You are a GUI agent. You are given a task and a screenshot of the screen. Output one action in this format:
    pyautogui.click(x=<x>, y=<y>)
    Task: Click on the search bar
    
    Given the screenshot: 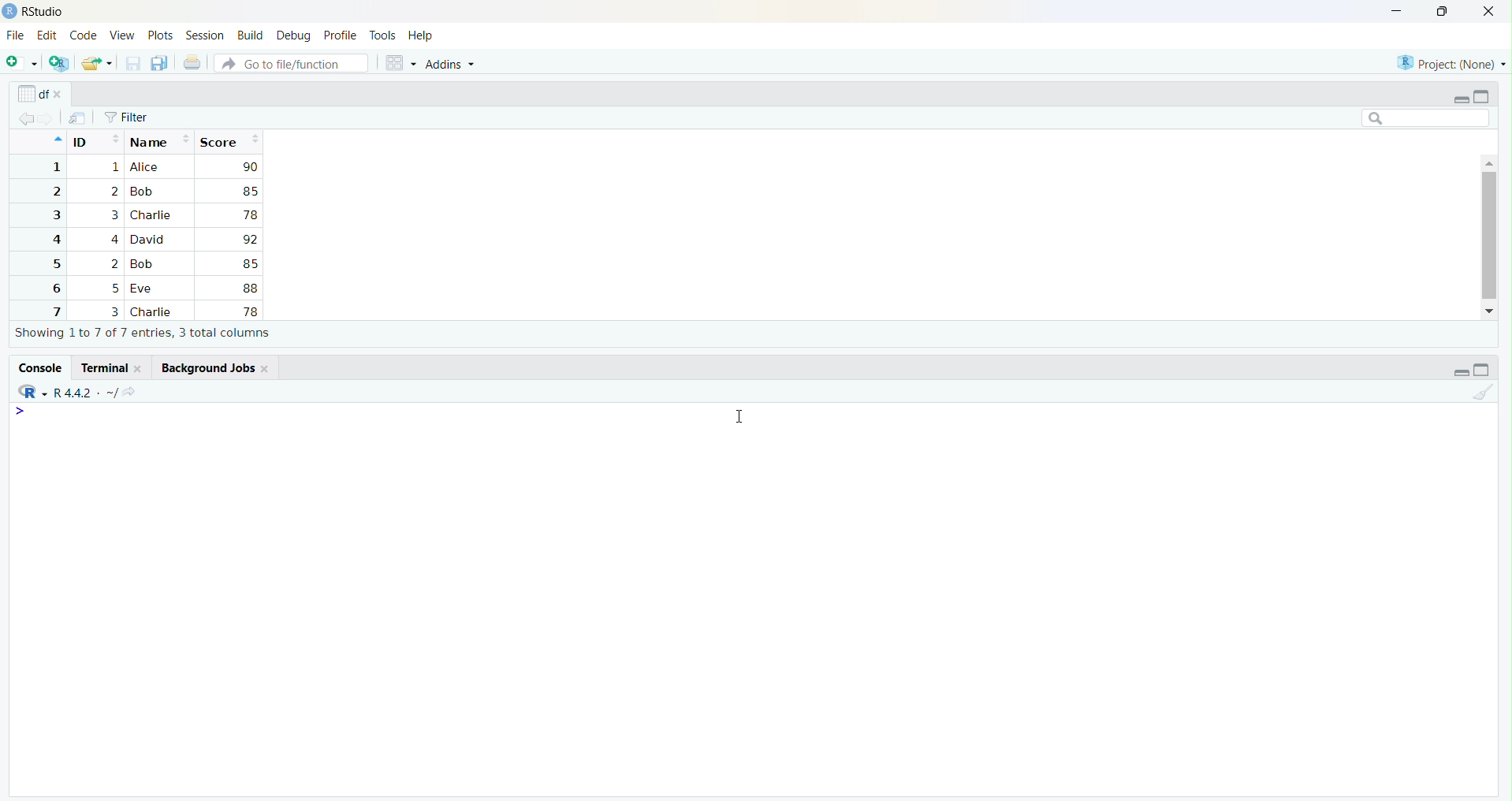 What is the action you would take?
    pyautogui.click(x=1426, y=117)
    